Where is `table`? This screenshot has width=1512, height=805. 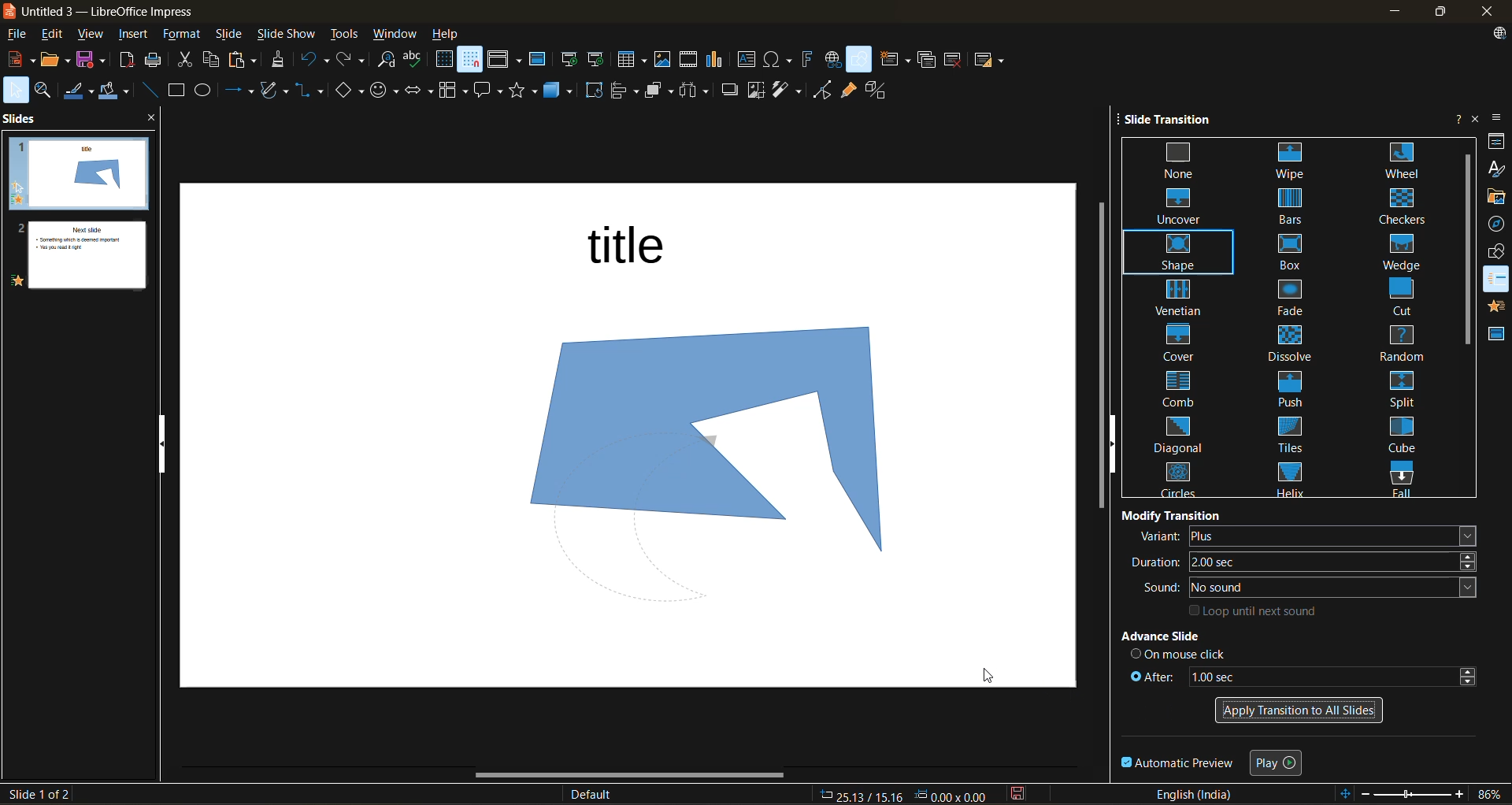
table is located at coordinates (634, 61).